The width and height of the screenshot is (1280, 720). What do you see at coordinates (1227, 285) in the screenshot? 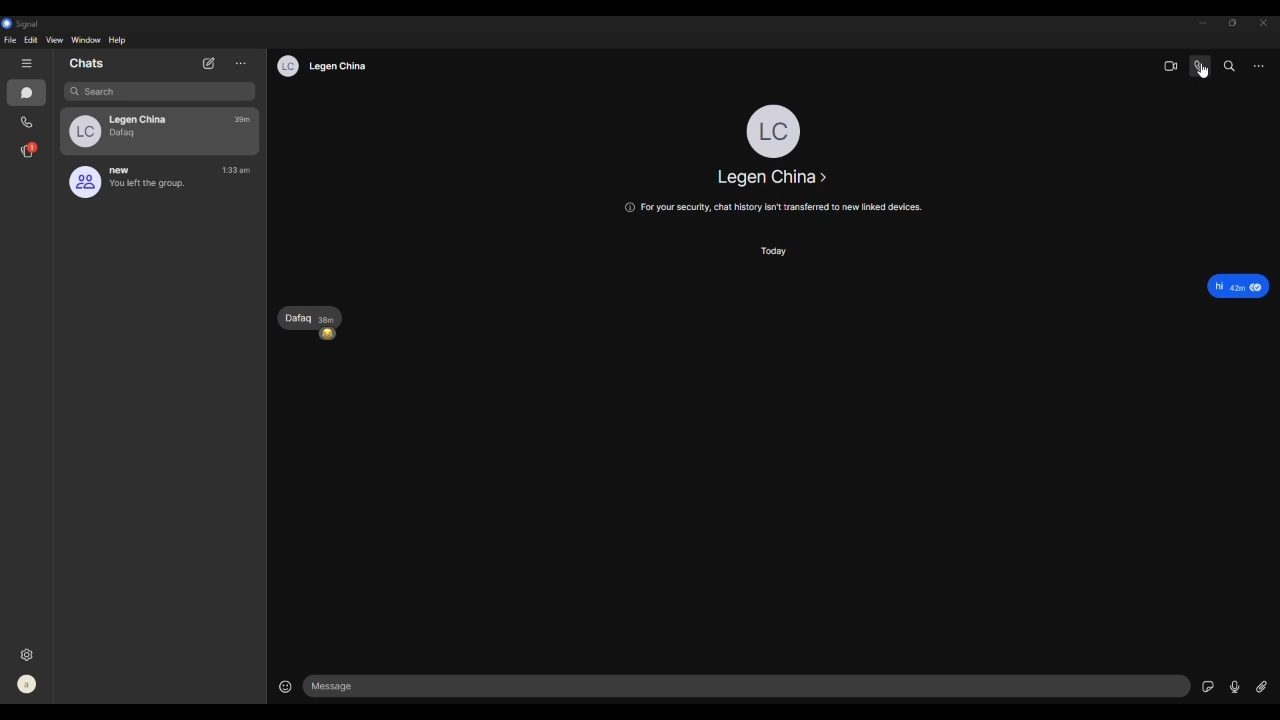
I see `hi 42m` at bounding box center [1227, 285].